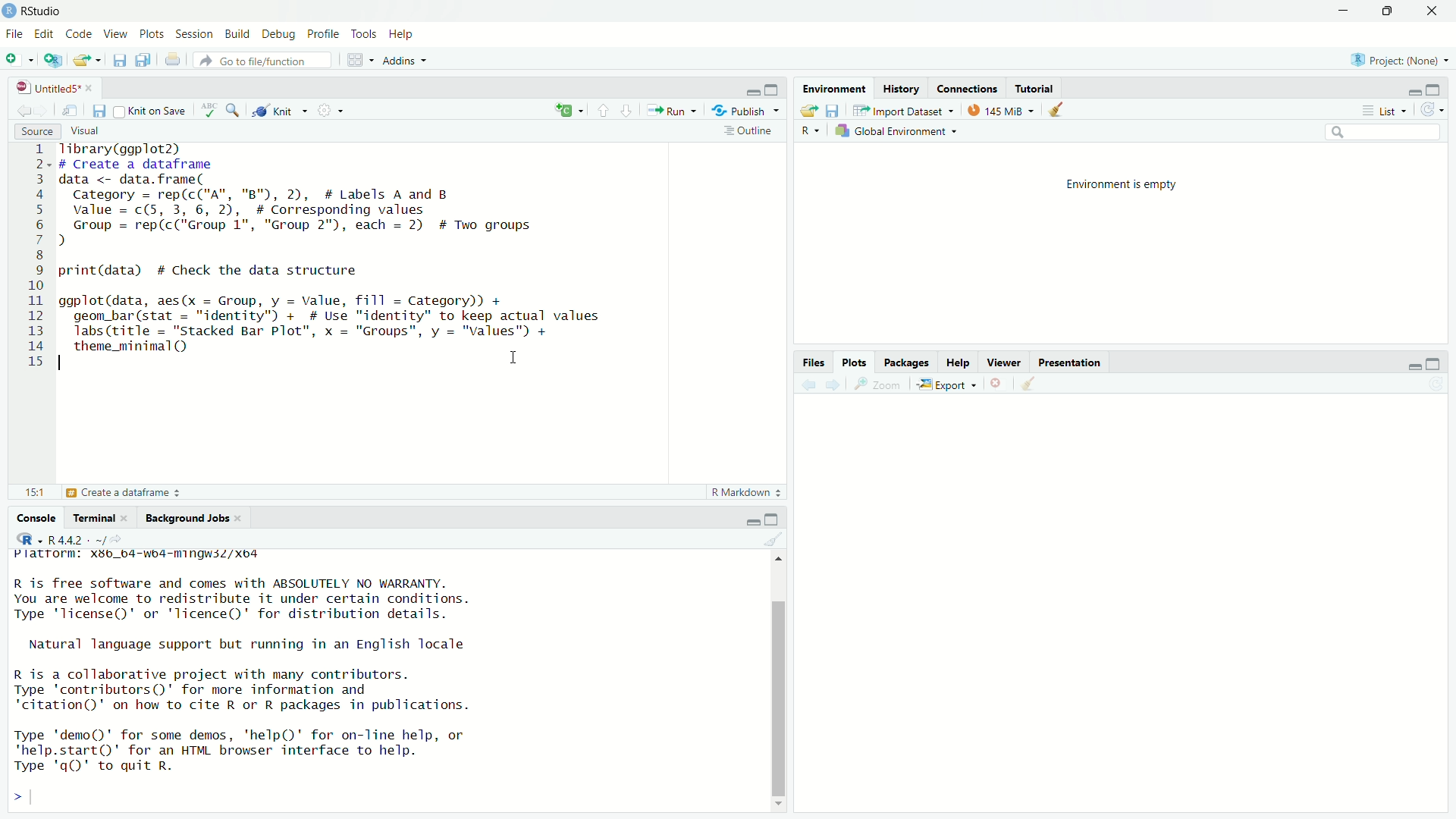  Describe the element at coordinates (674, 109) in the screenshot. I see `Run the current line or selection (Ctrl + Enter)` at that location.